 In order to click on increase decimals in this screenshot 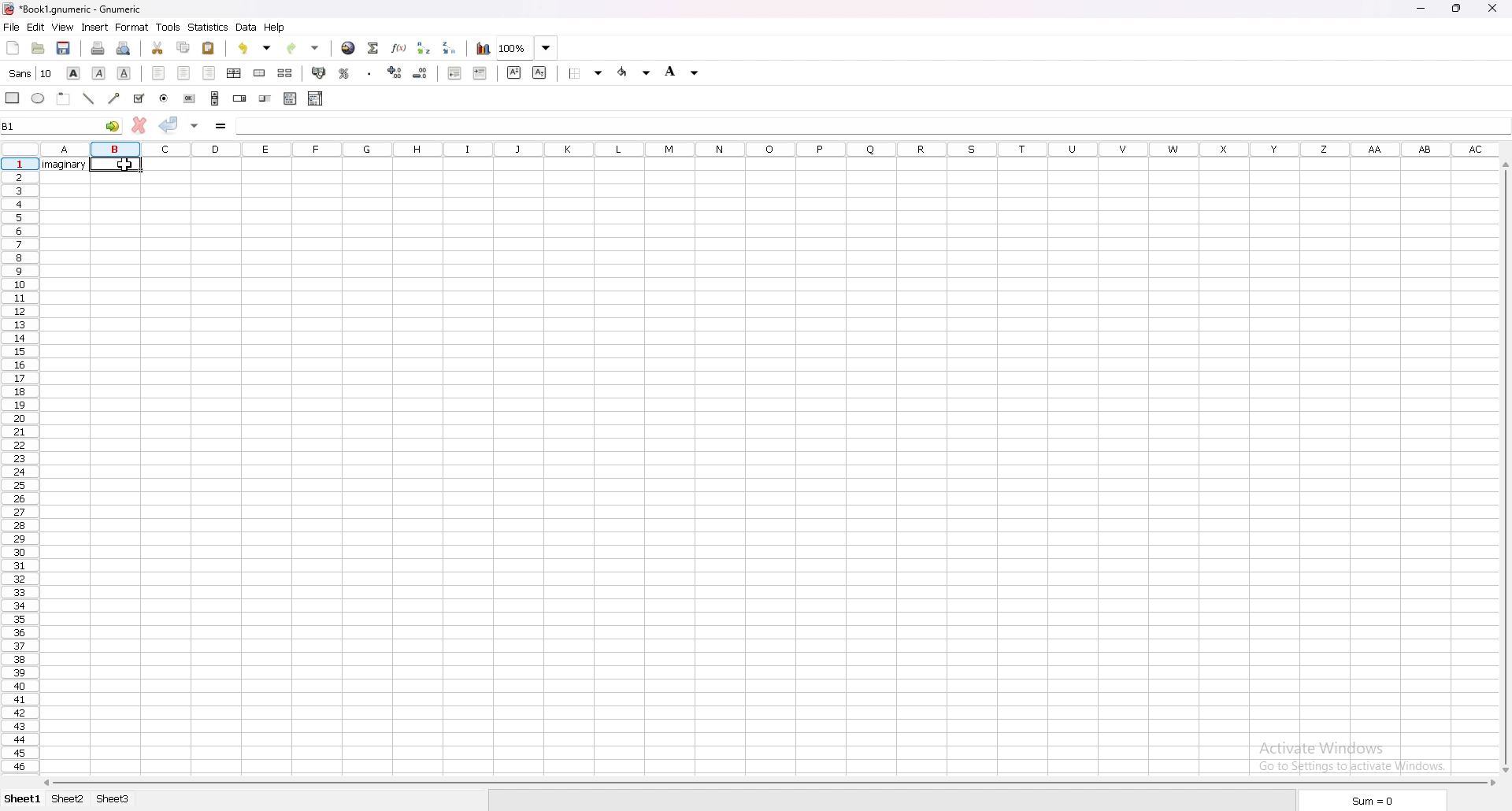, I will do `click(395, 72)`.